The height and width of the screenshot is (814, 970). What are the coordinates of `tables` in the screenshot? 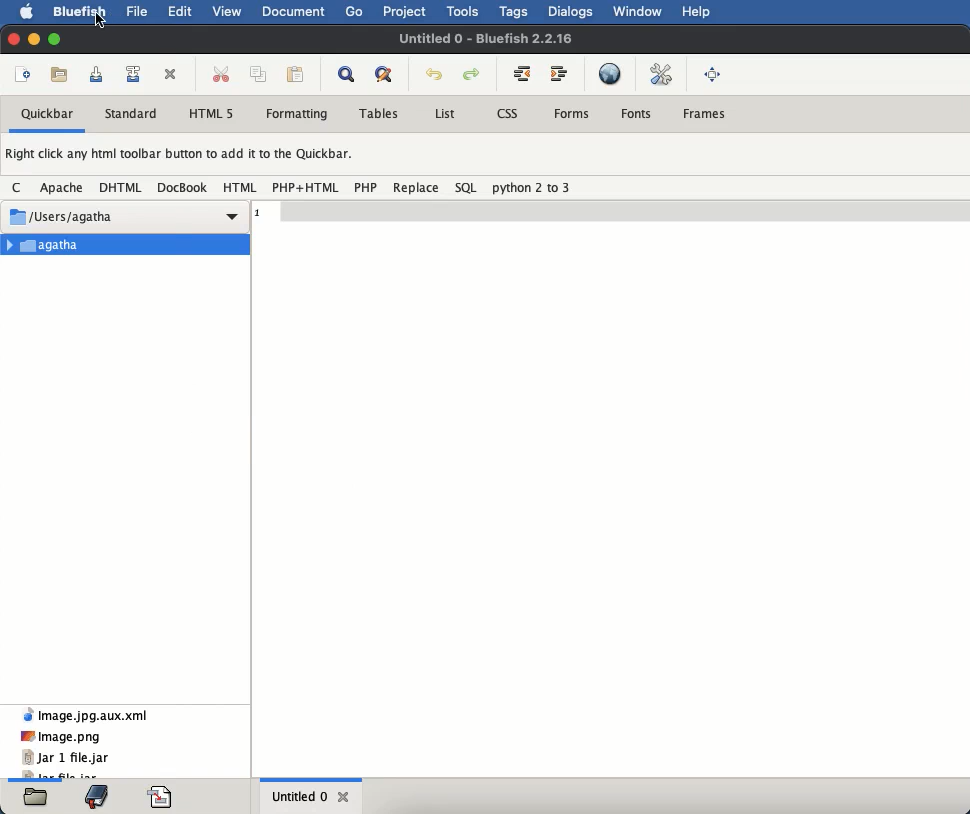 It's located at (384, 113).